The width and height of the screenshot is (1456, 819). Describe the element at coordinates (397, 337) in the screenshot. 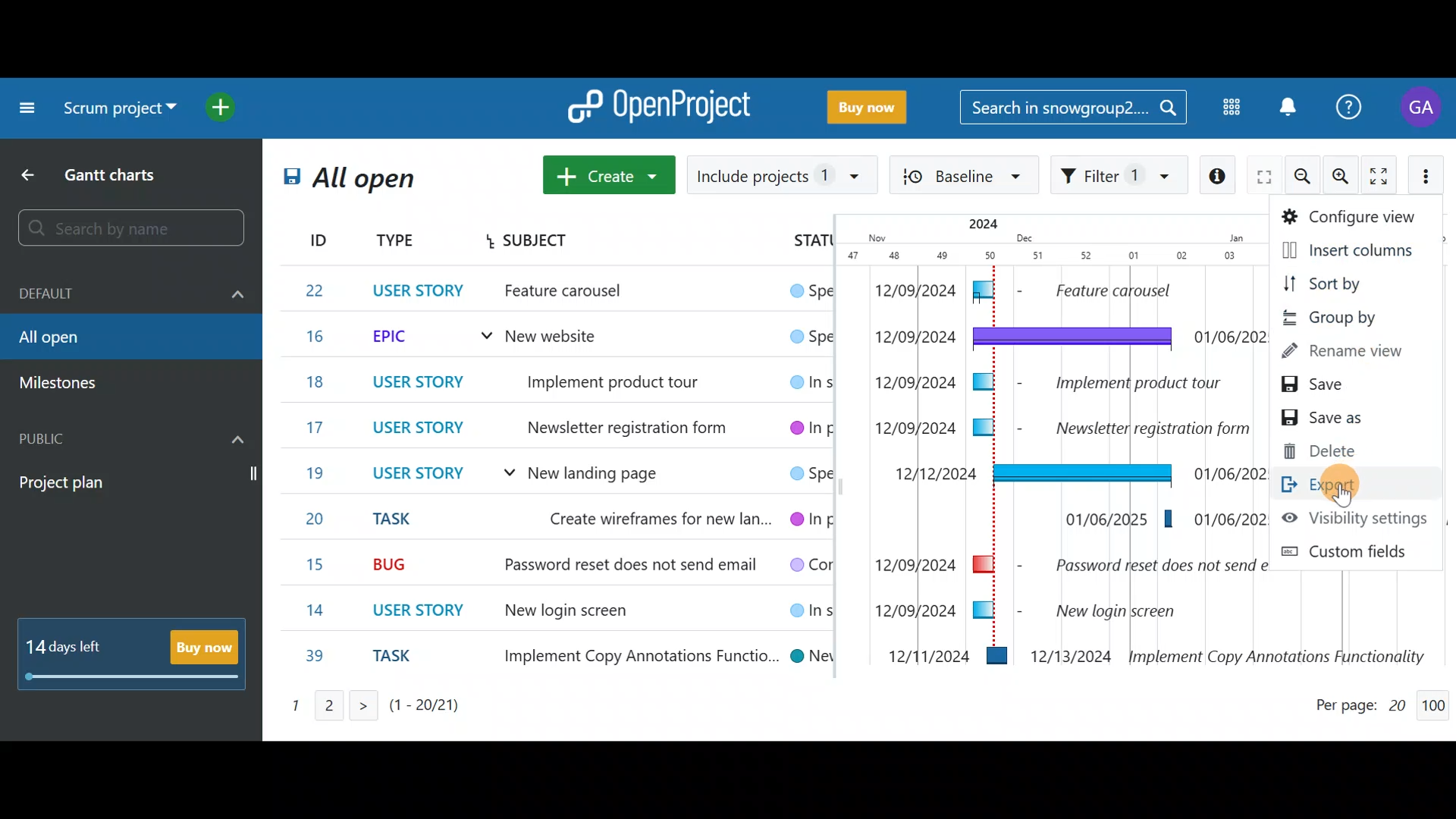

I see `EPIC` at that location.